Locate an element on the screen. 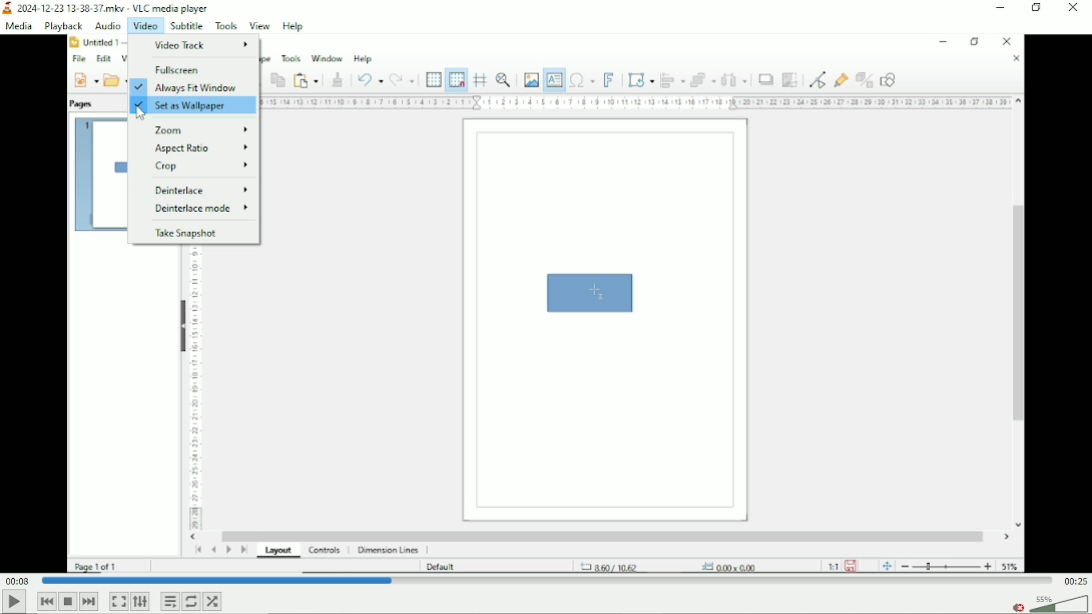  Subtitle is located at coordinates (187, 25).